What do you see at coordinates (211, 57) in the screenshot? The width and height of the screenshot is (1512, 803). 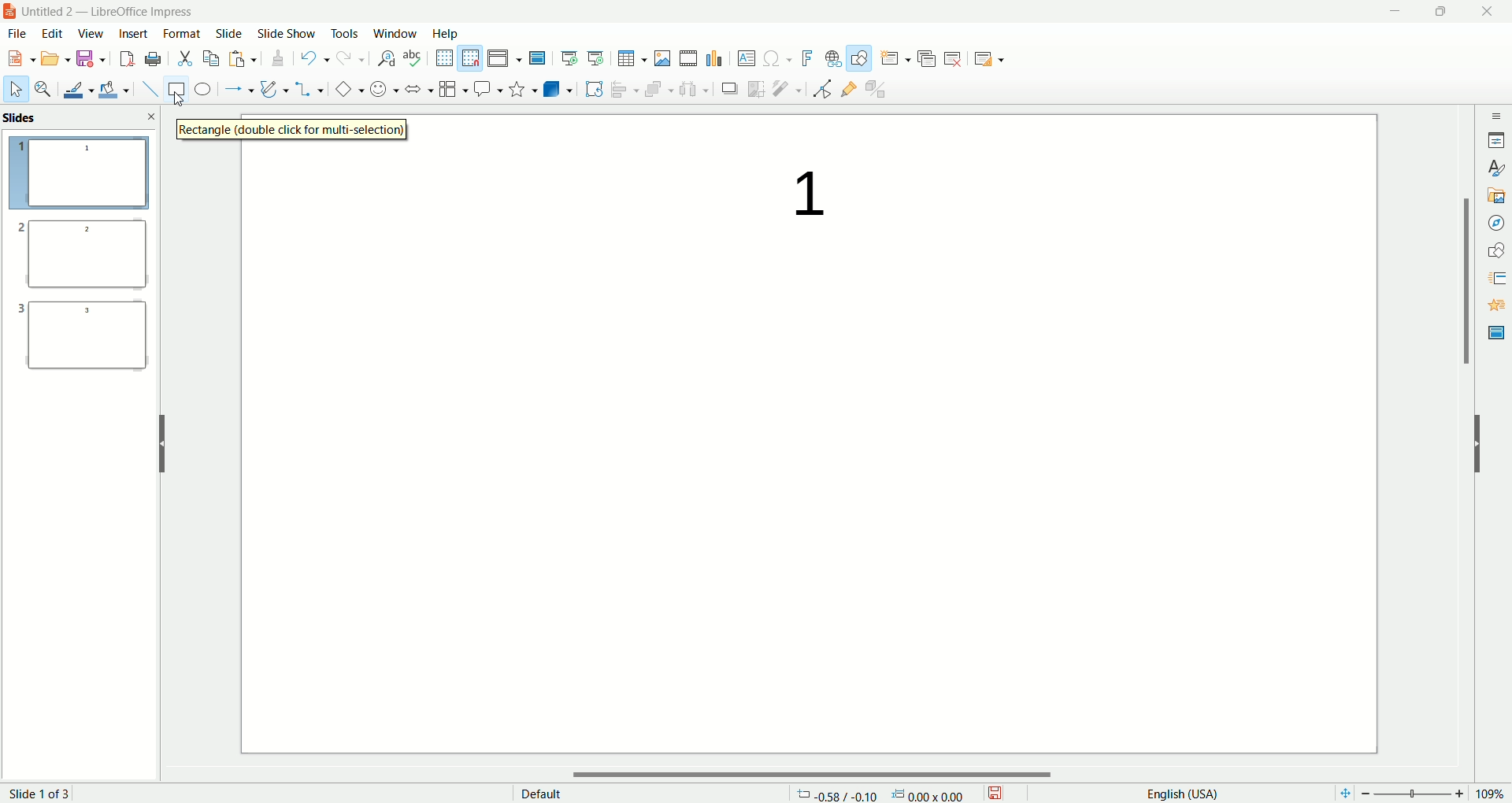 I see `copy` at bounding box center [211, 57].